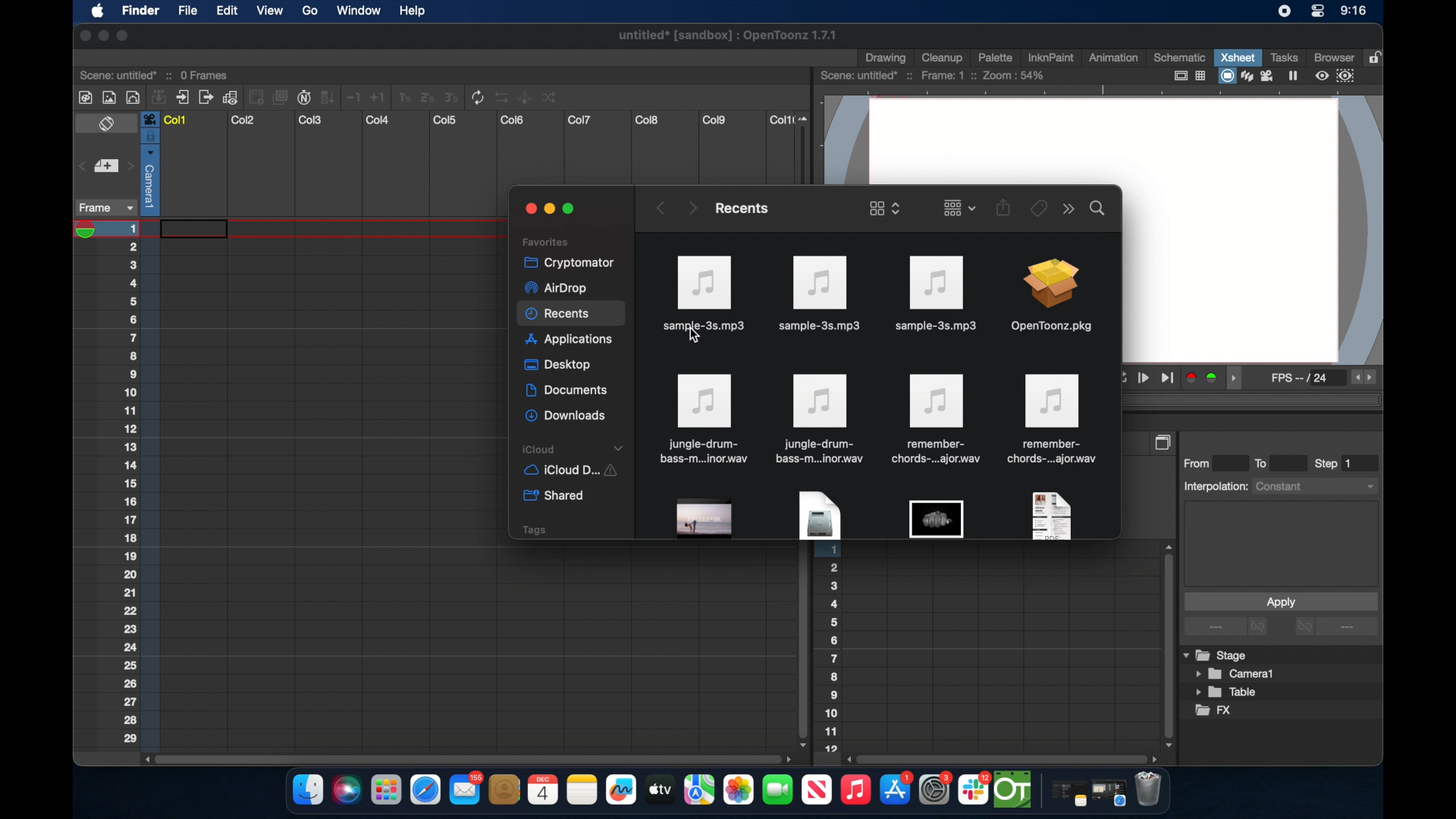 The image size is (1456, 819). What do you see at coordinates (1004, 758) in the screenshot?
I see `scroll box` at bounding box center [1004, 758].